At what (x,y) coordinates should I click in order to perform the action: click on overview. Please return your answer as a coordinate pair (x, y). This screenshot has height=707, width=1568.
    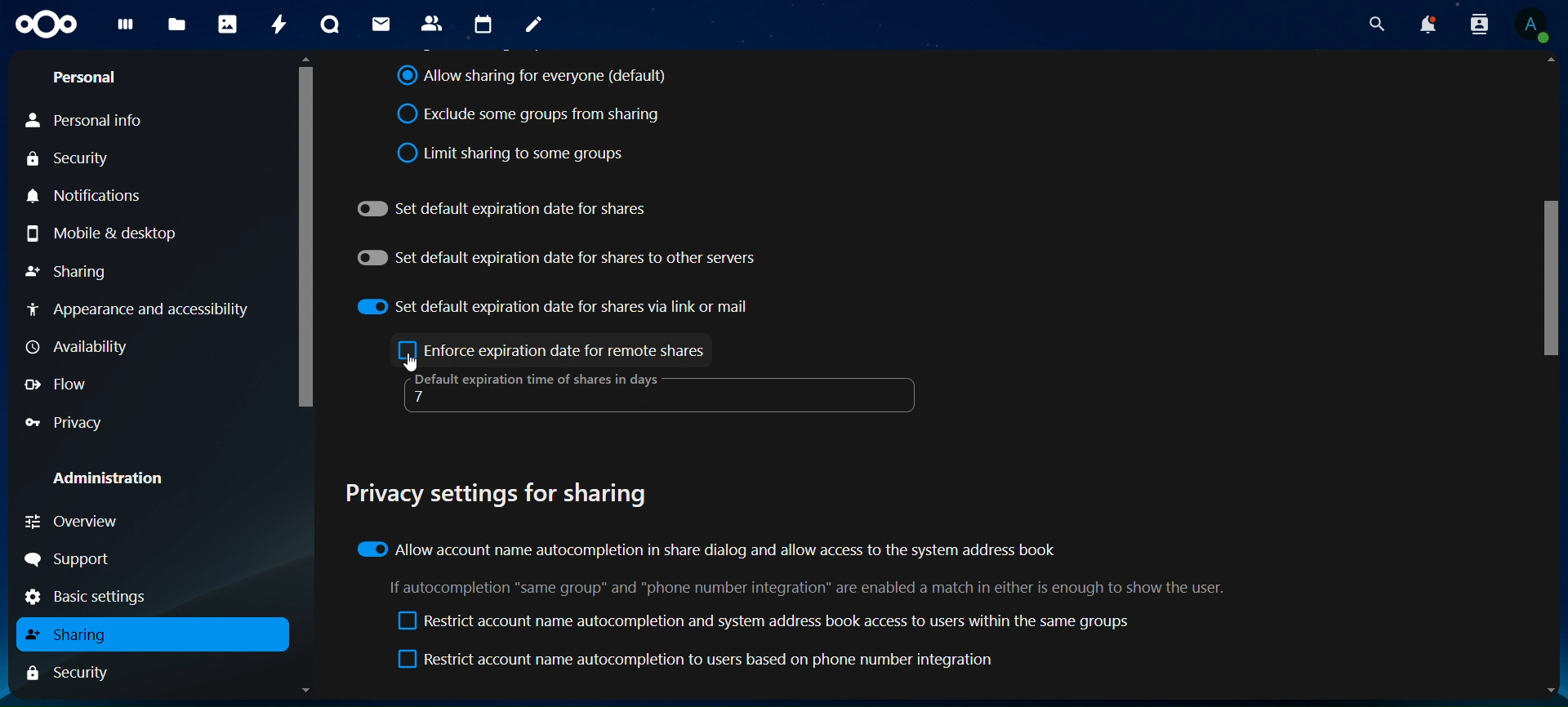
    Looking at the image, I should click on (73, 522).